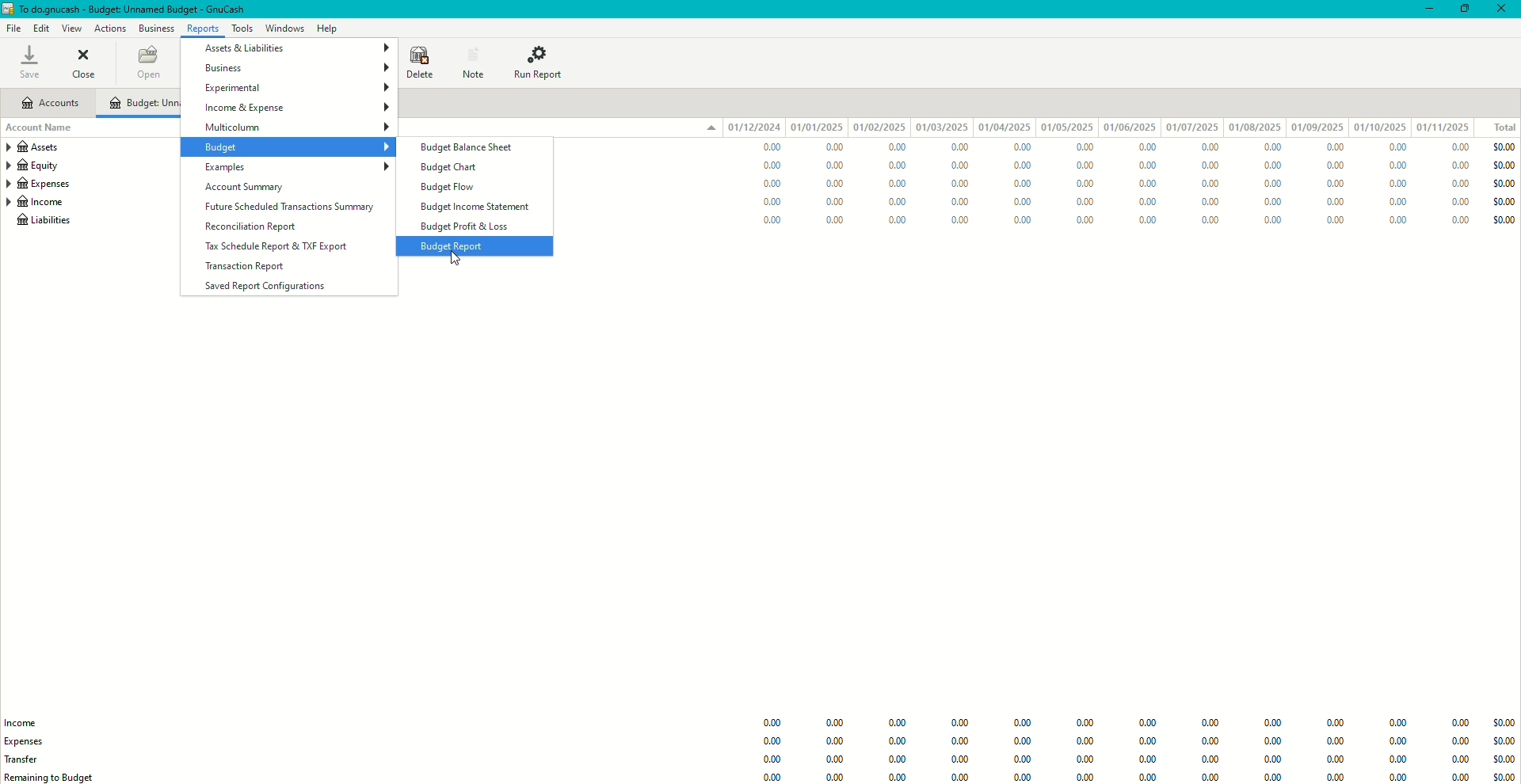  What do you see at coordinates (1396, 147) in the screenshot?
I see `0.00` at bounding box center [1396, 147].